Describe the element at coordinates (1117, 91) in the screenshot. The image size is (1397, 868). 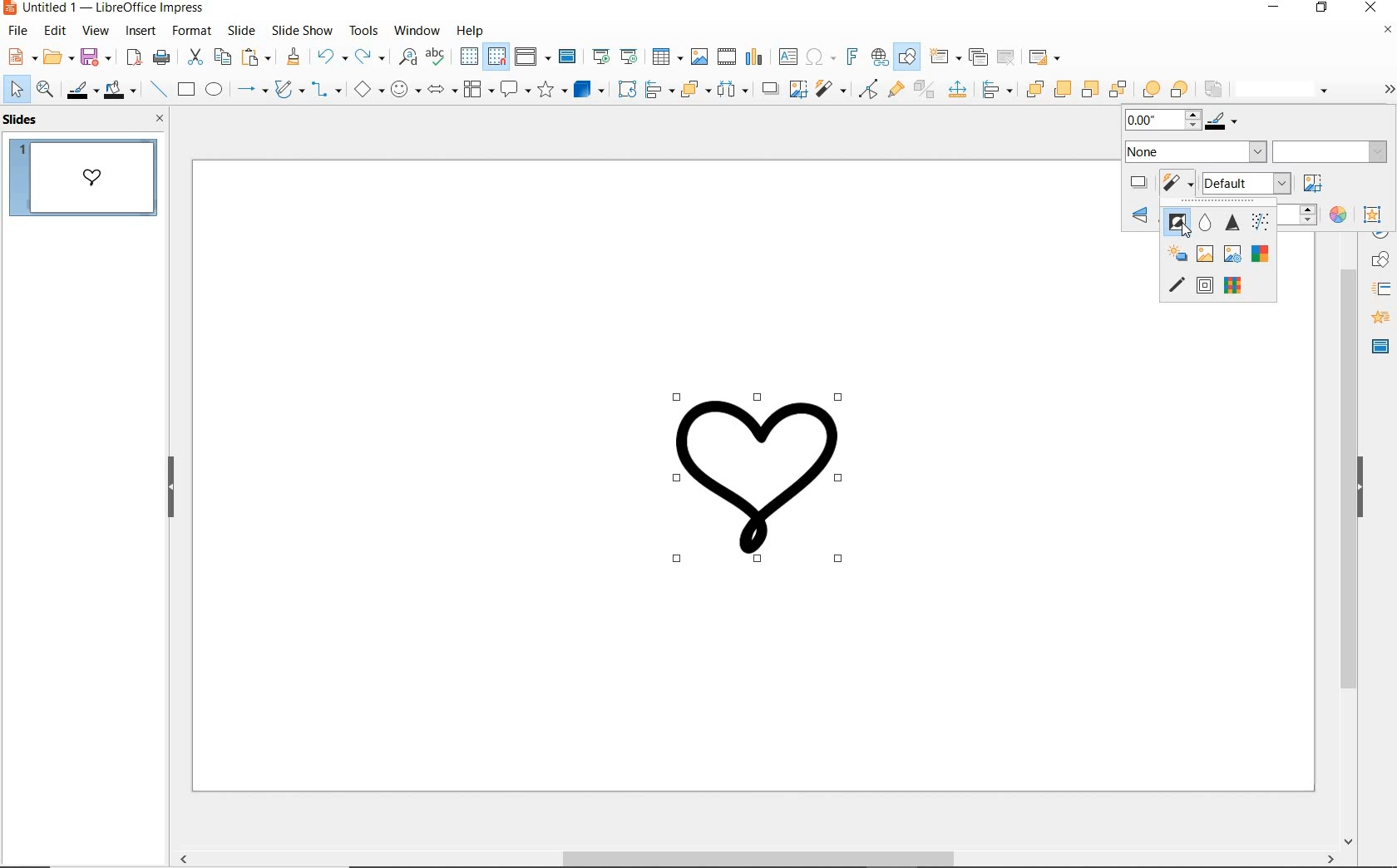
I see `send to back` at that location.